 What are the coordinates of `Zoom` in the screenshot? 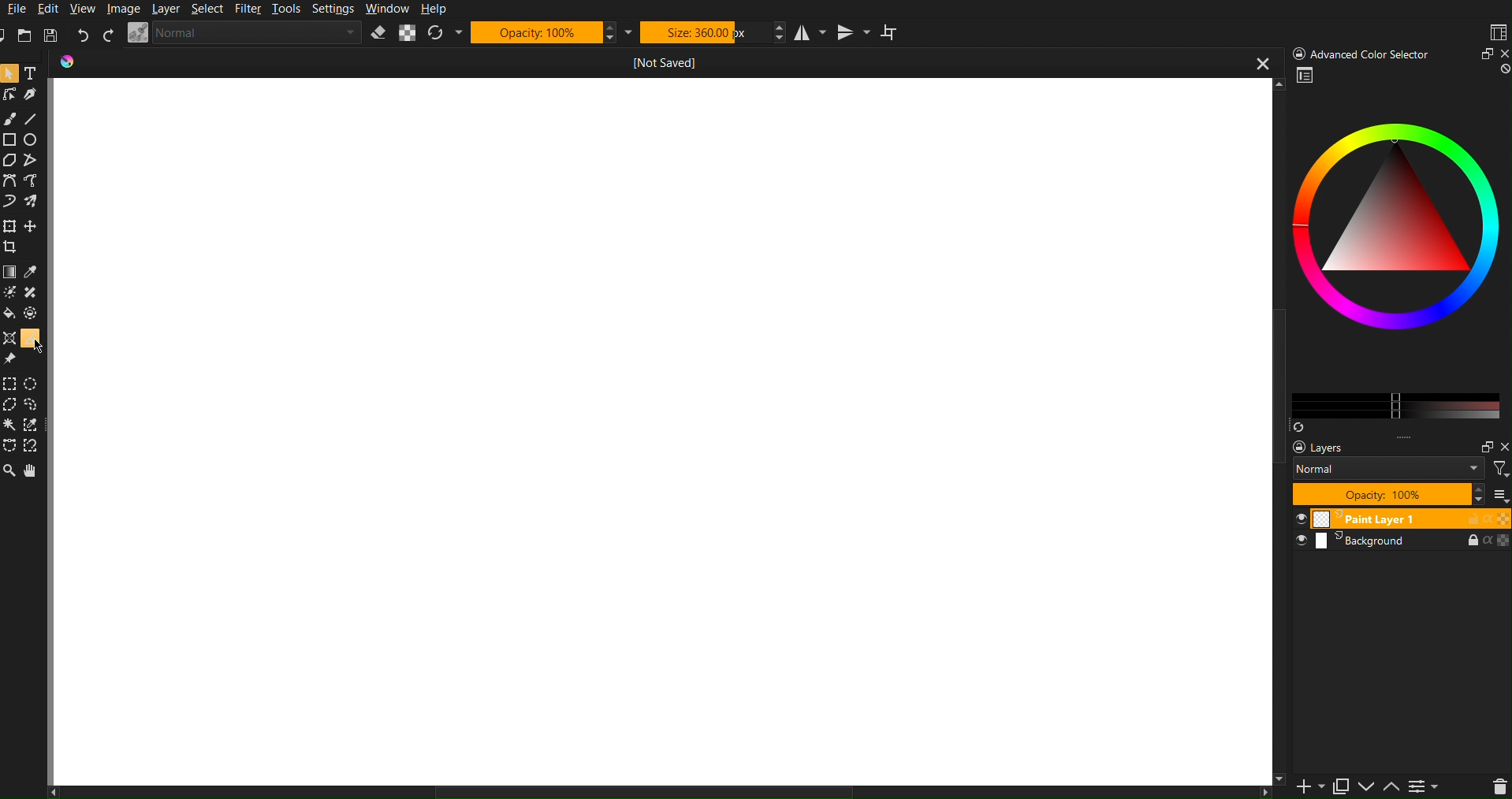 It's located at (10, 73).